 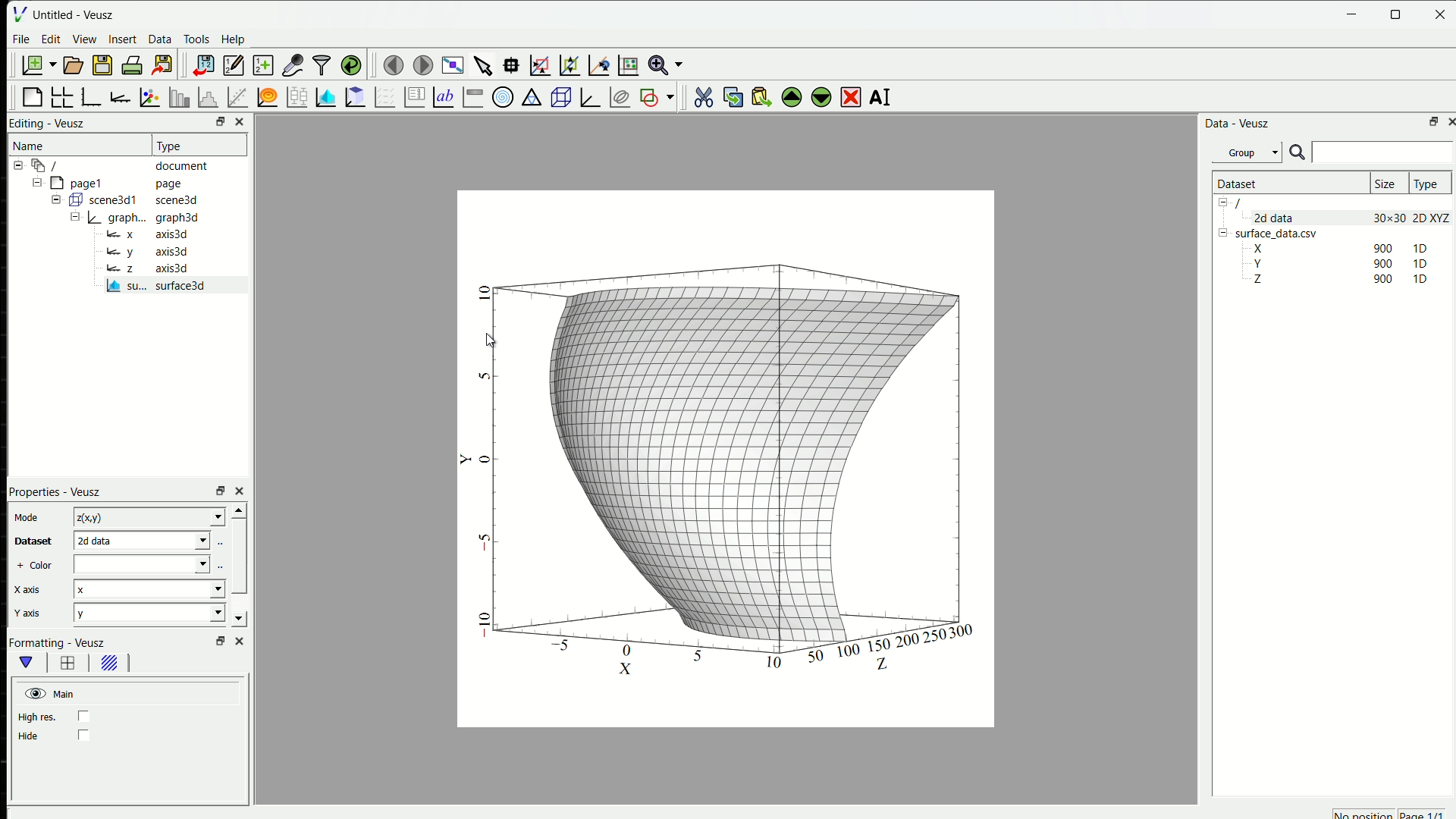 I want to click on edit and enter new datasets, so click(x=234, y=64).